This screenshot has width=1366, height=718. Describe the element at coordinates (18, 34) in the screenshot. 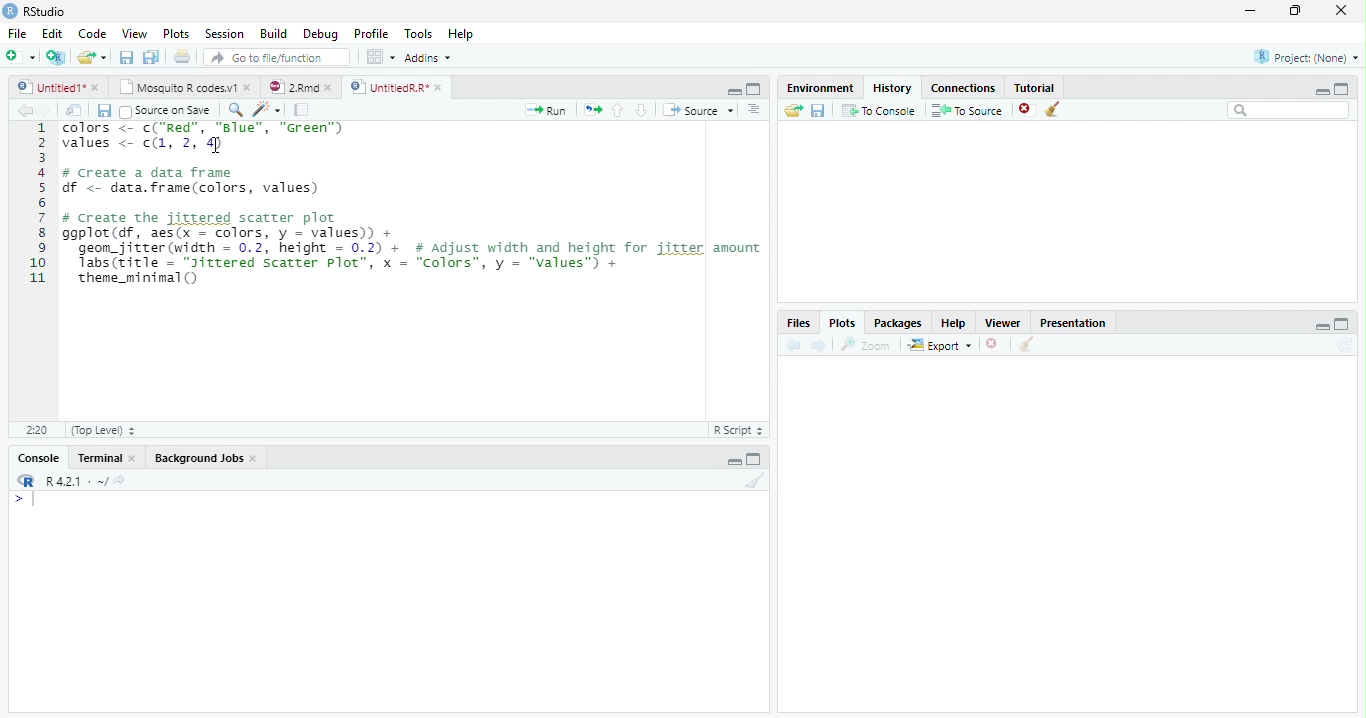

I see `File` at that location.